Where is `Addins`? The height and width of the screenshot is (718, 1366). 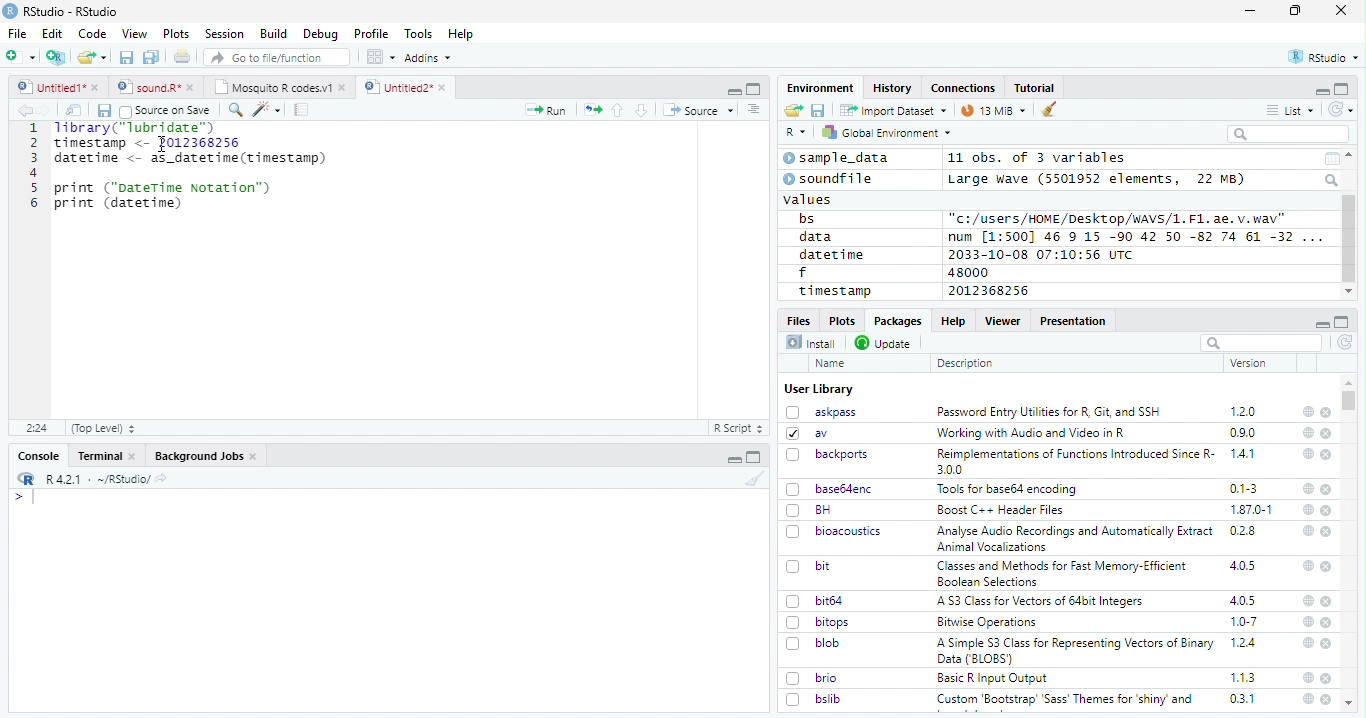
Addins is located at coordinates (428, 58).